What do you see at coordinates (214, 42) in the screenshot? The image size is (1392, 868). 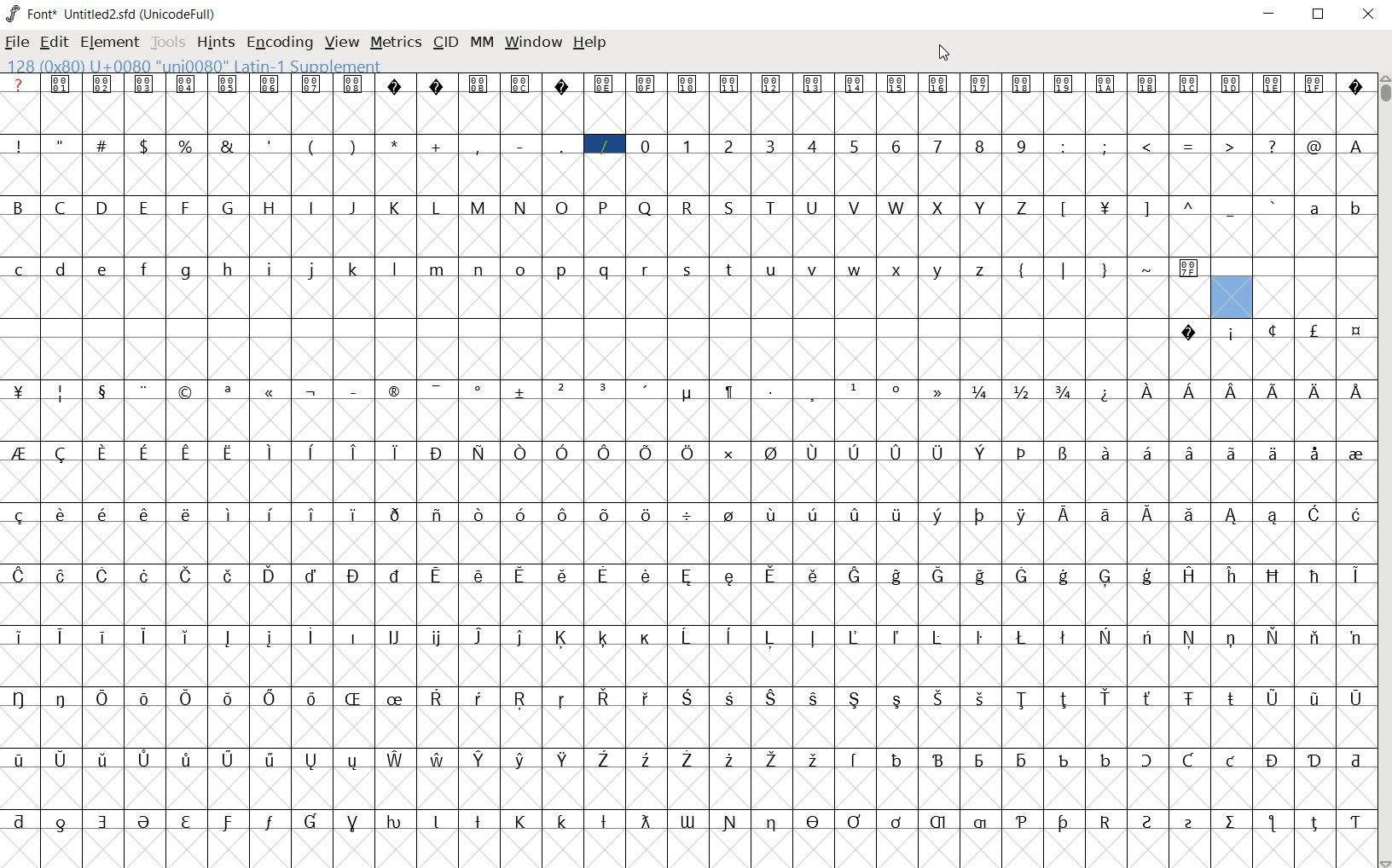 I see `HINTS` at bounding box center [214, 42].